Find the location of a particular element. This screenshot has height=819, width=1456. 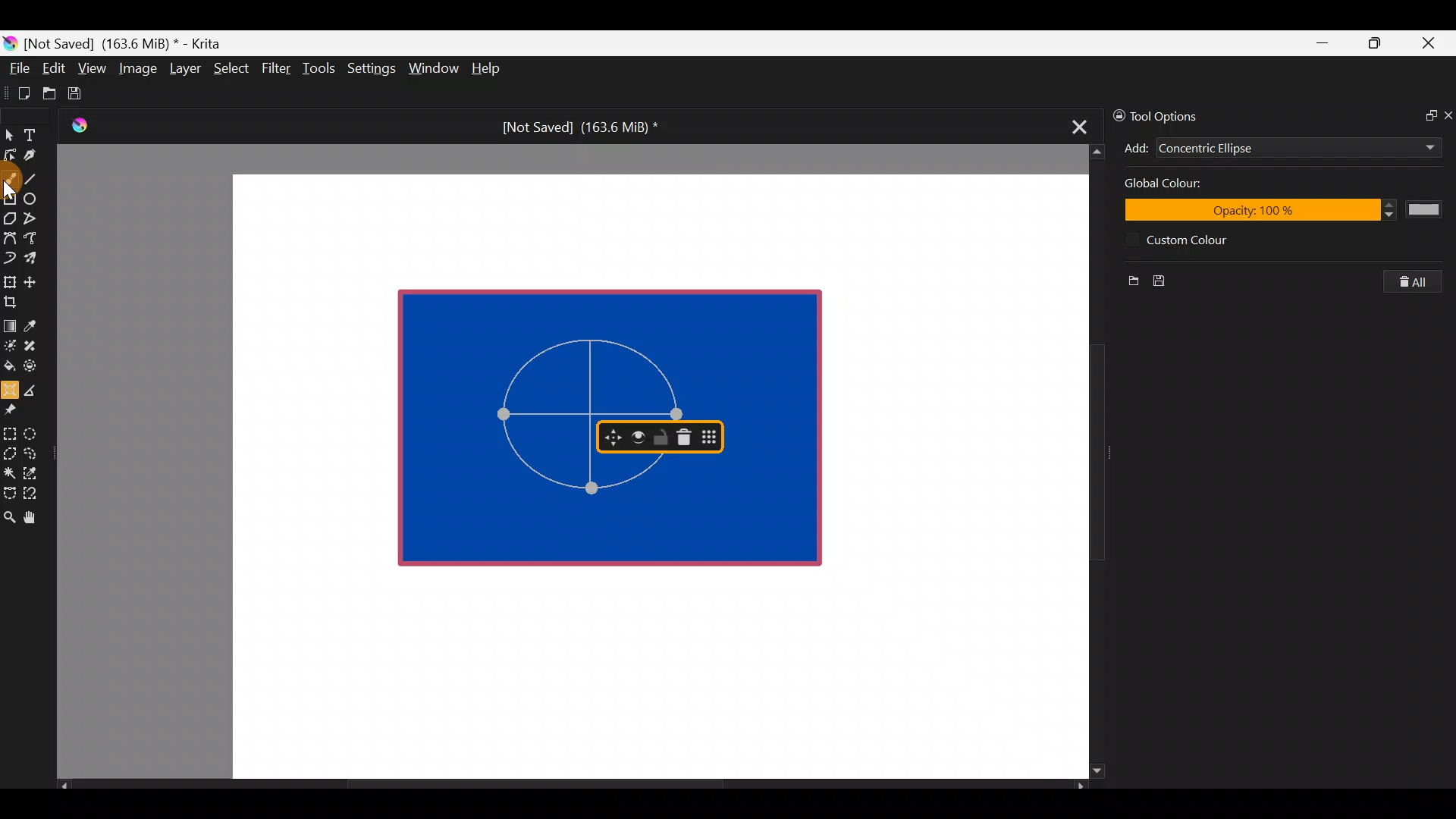

Select shapes tool is located at coordinates (9, 136).